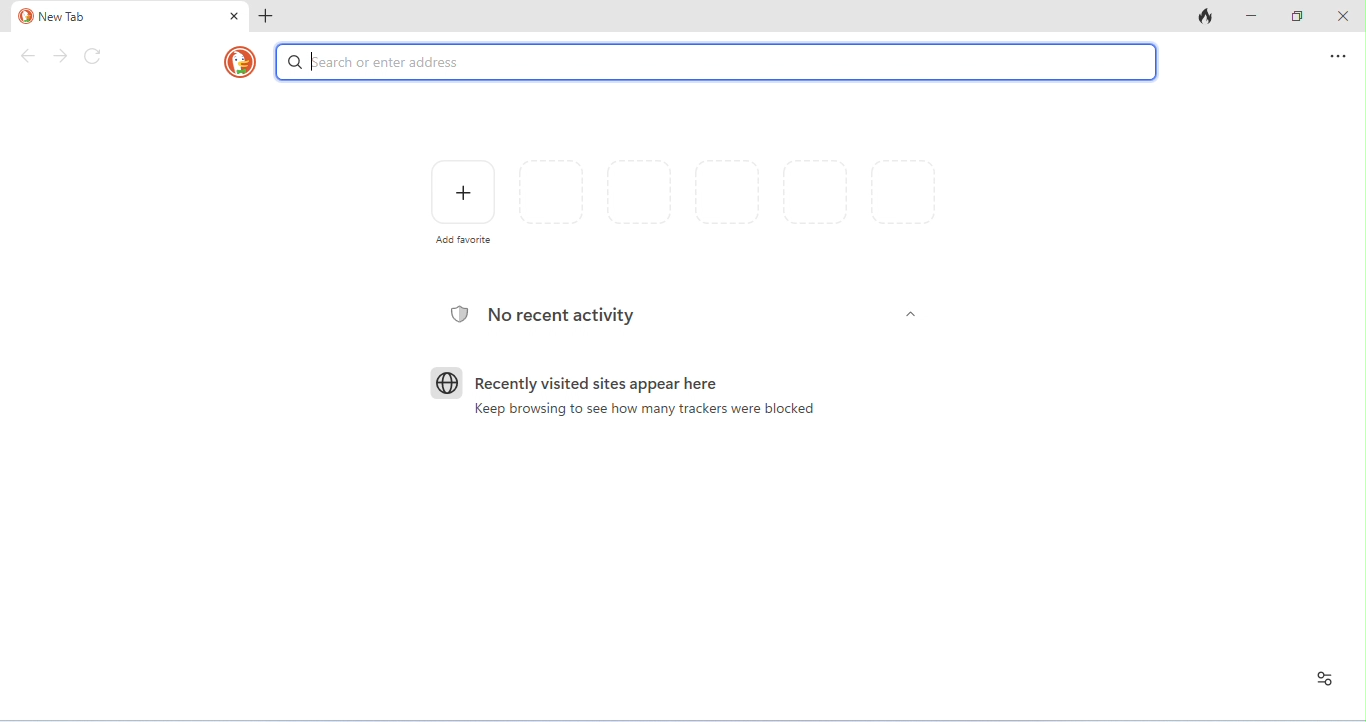 The width and height of the screenshot is (1366, 722). What do you see at coordinates (464, 239) in the screenshot?
I see `Add favorite` at bounding box center [464, 239].